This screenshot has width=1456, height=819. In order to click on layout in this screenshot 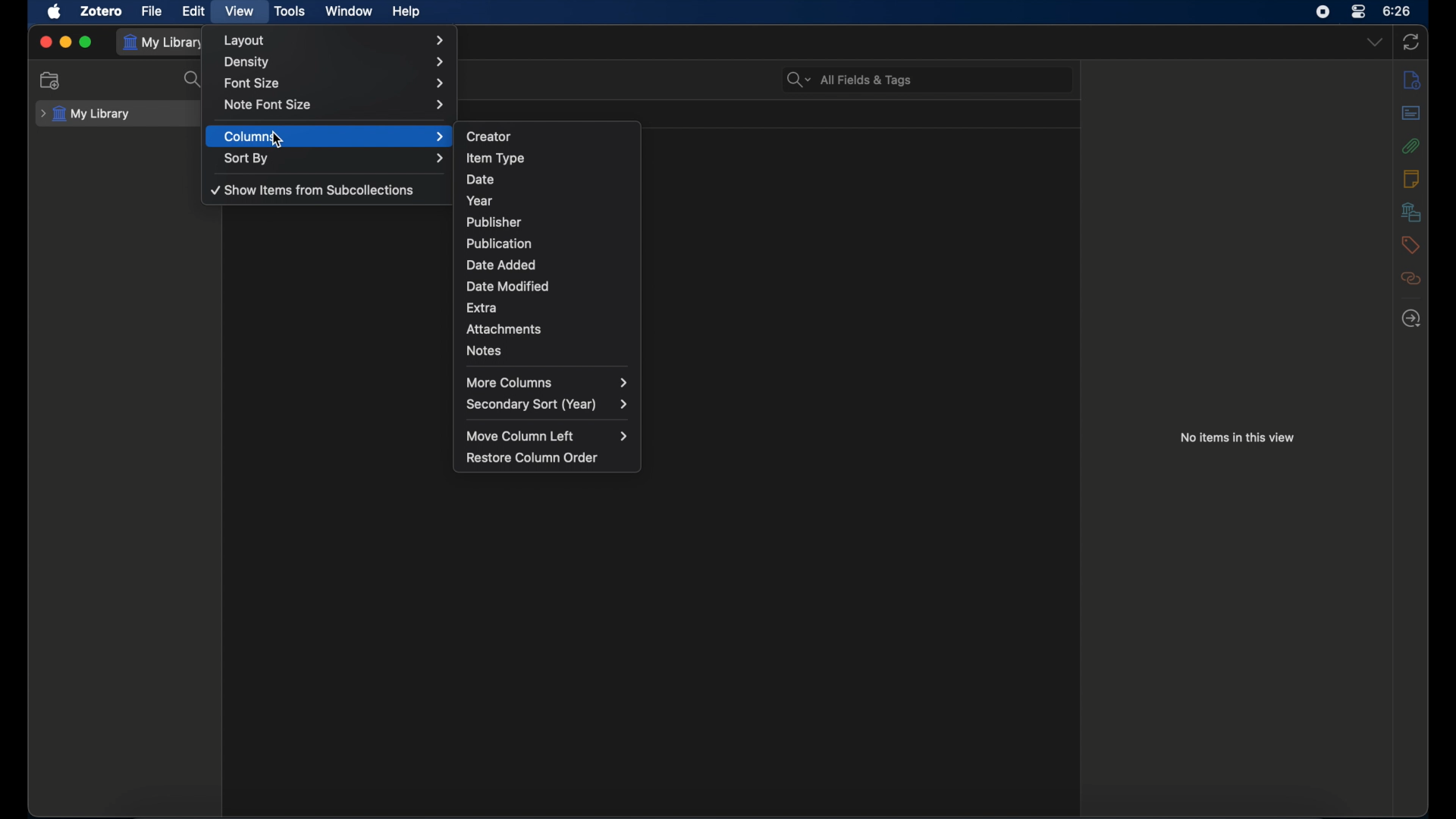, I will do `click(337, 40)`.